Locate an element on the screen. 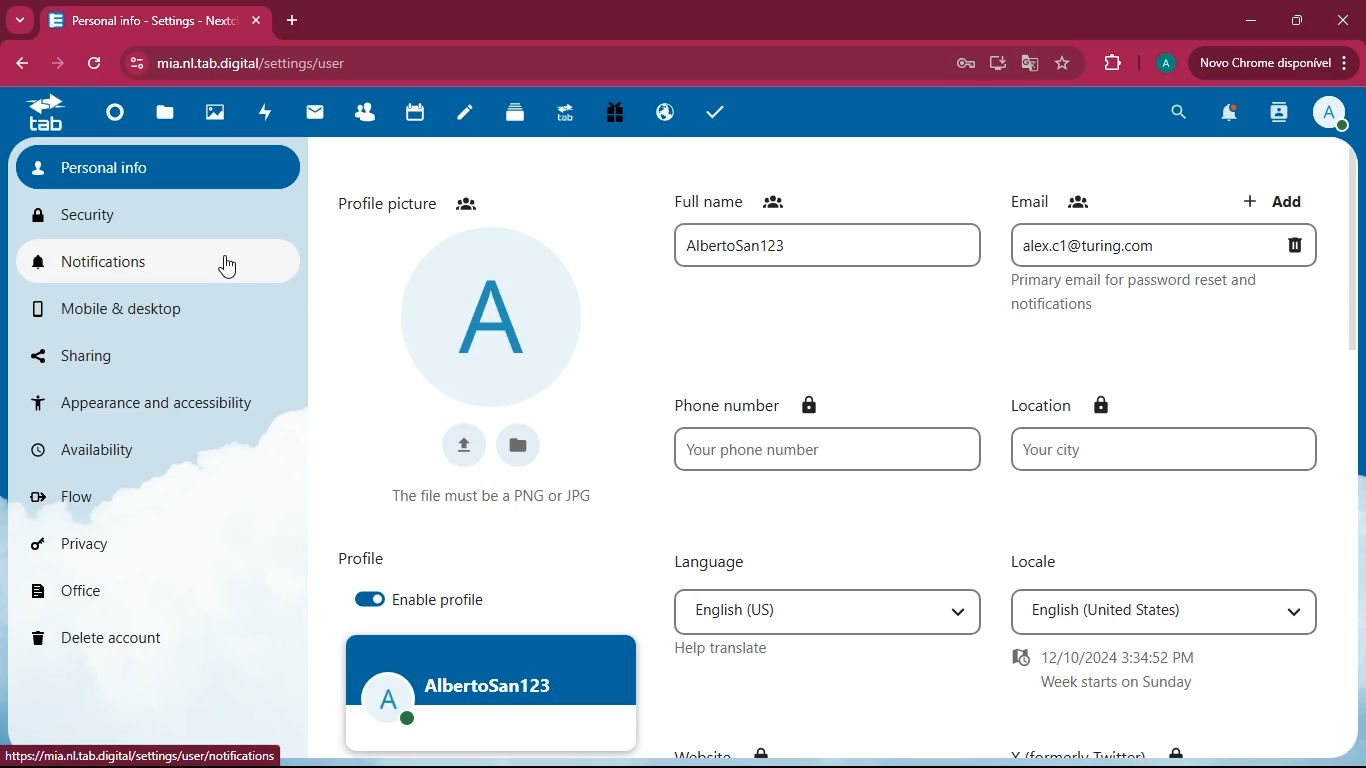 This screenshot has width=1366, height=768. add tab is located at coordinates (290, 22).